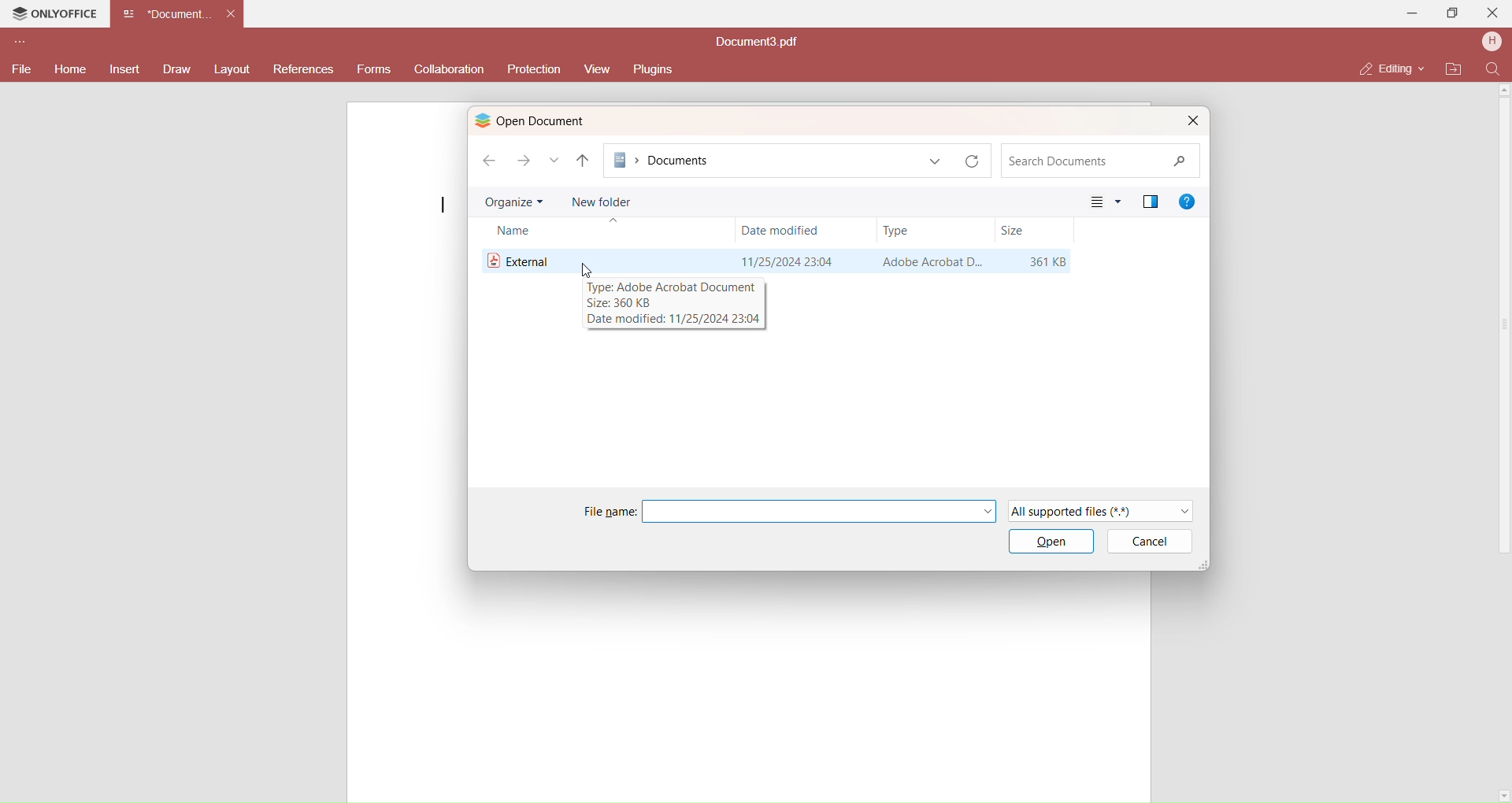  Describe the element at coordinates (1189, 200) in the screenshot. I see `Help` at that location.